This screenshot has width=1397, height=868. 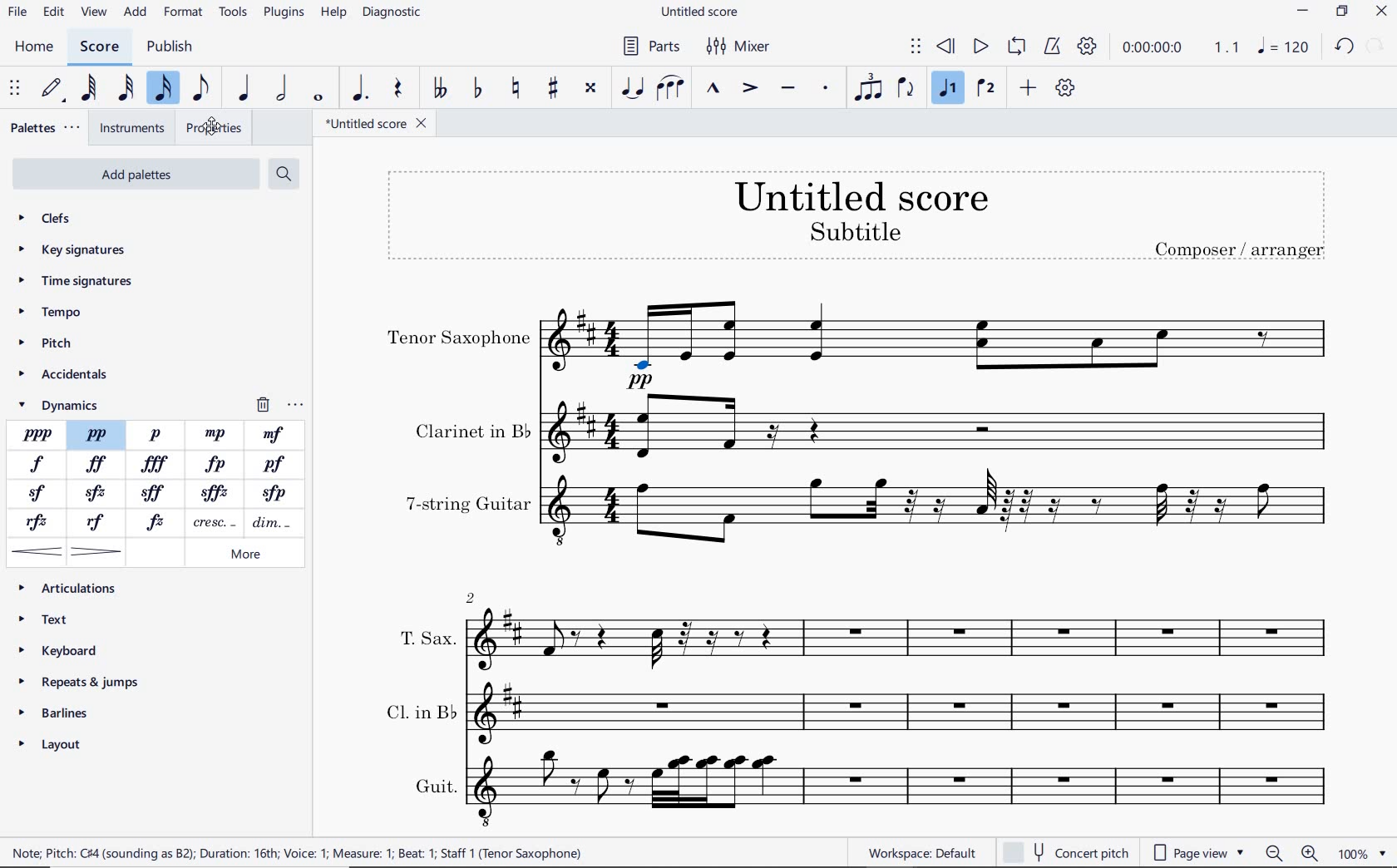 I want to click on add, so click(x=136, y=12).